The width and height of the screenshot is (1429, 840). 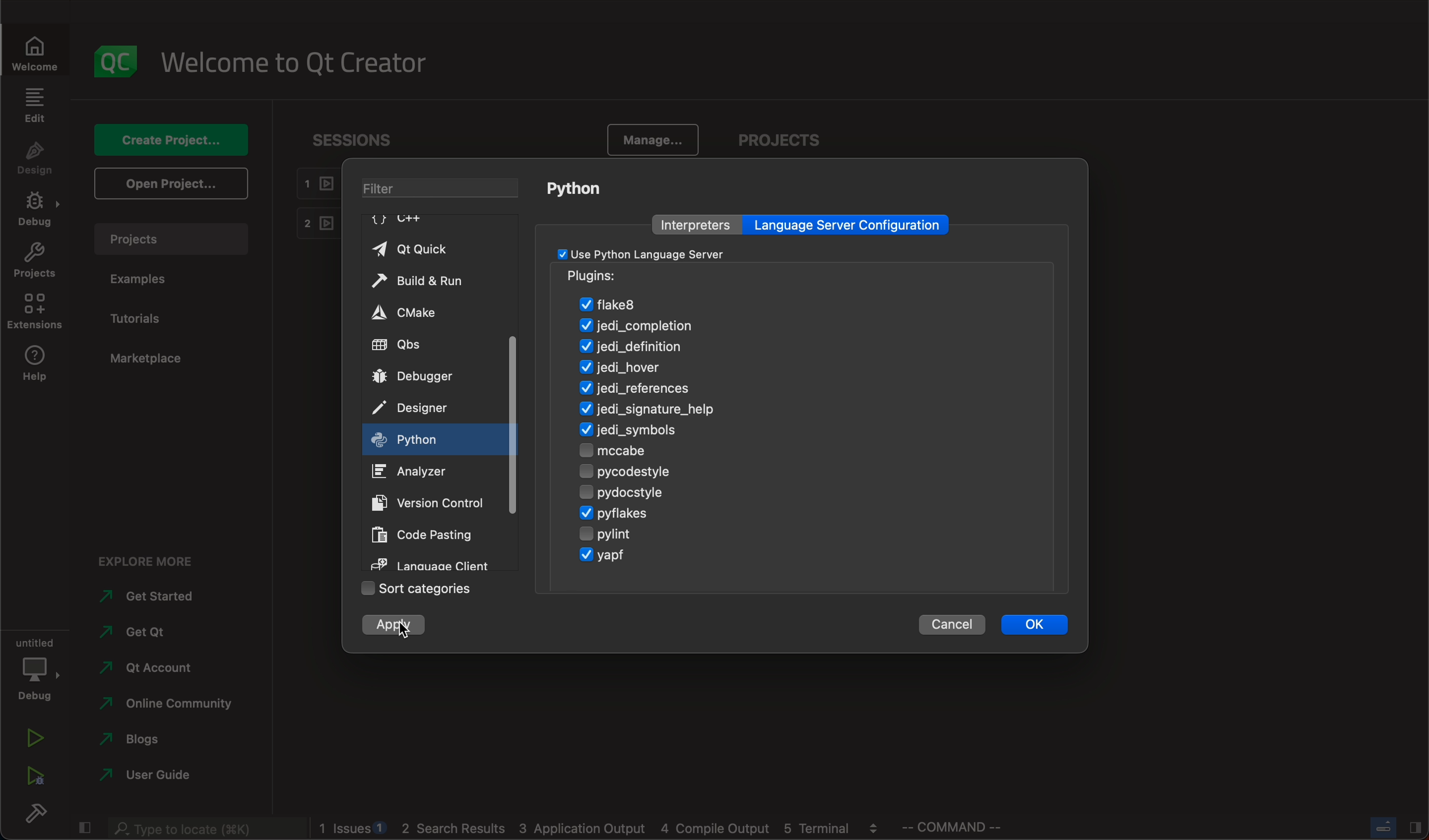 I want to click on edit, so click(x=33, y=106).